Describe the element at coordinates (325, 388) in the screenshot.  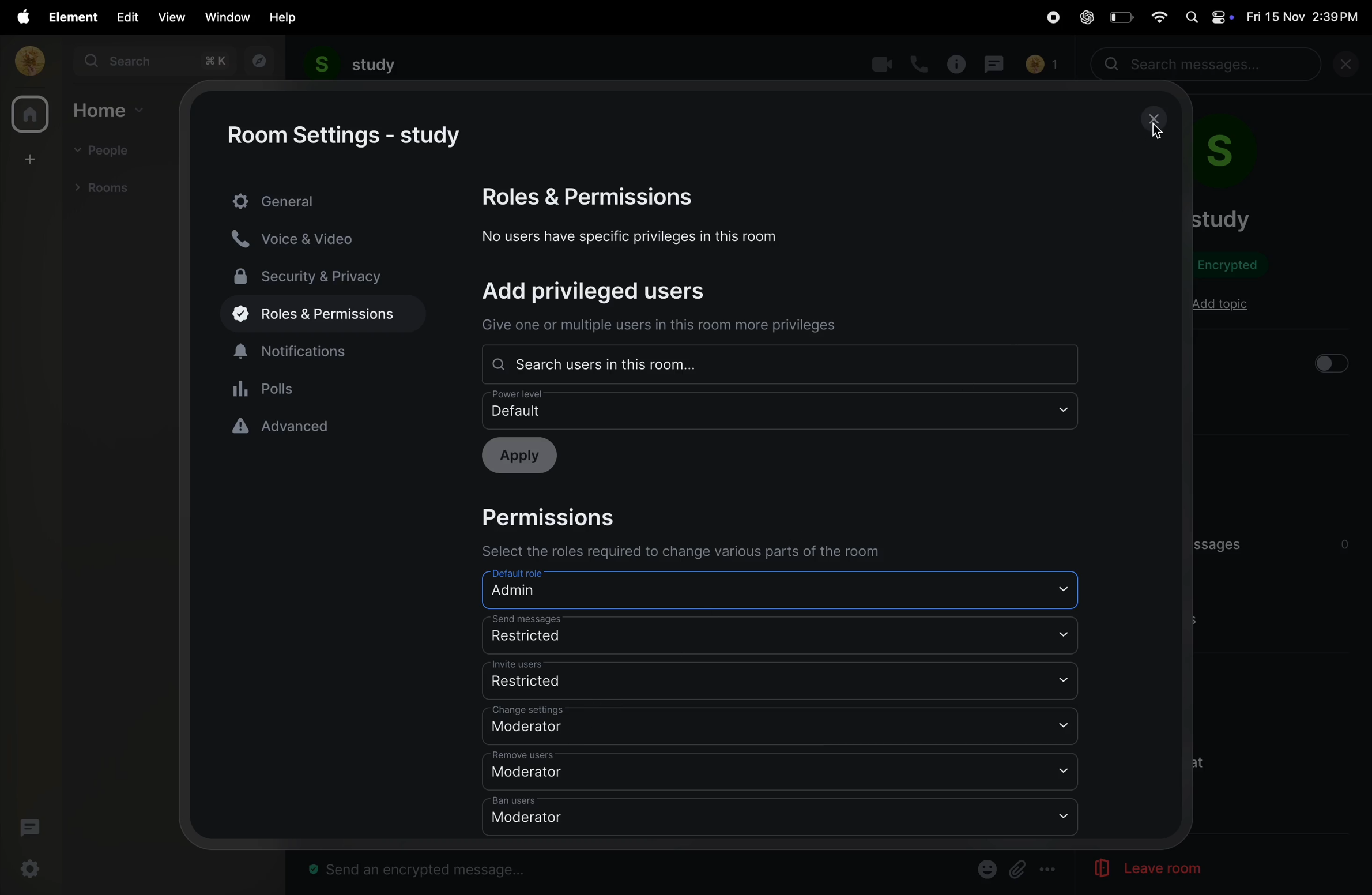
I see `Polls` at that location.